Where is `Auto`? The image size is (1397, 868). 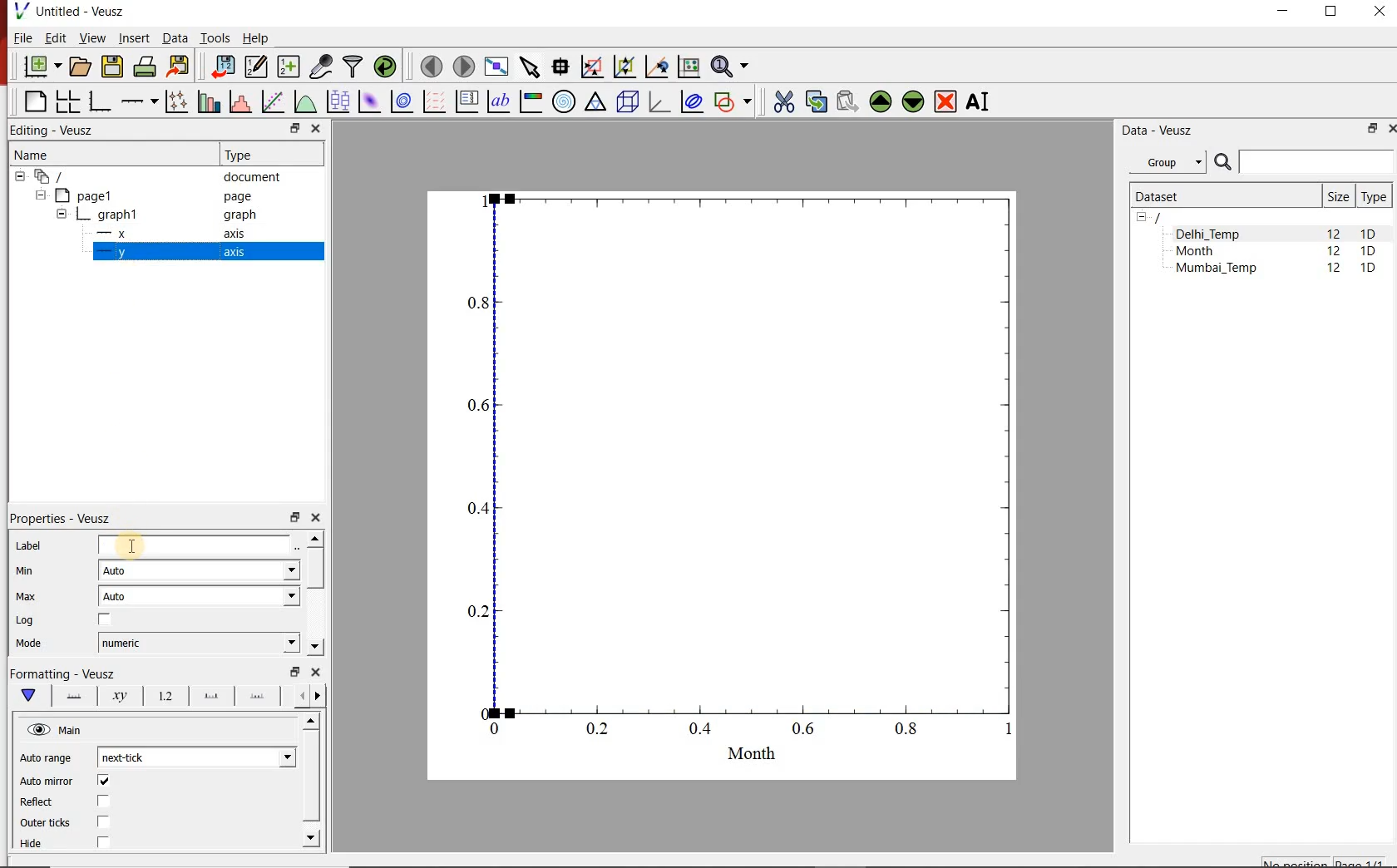
Auto is located at coordinates (199, 596).